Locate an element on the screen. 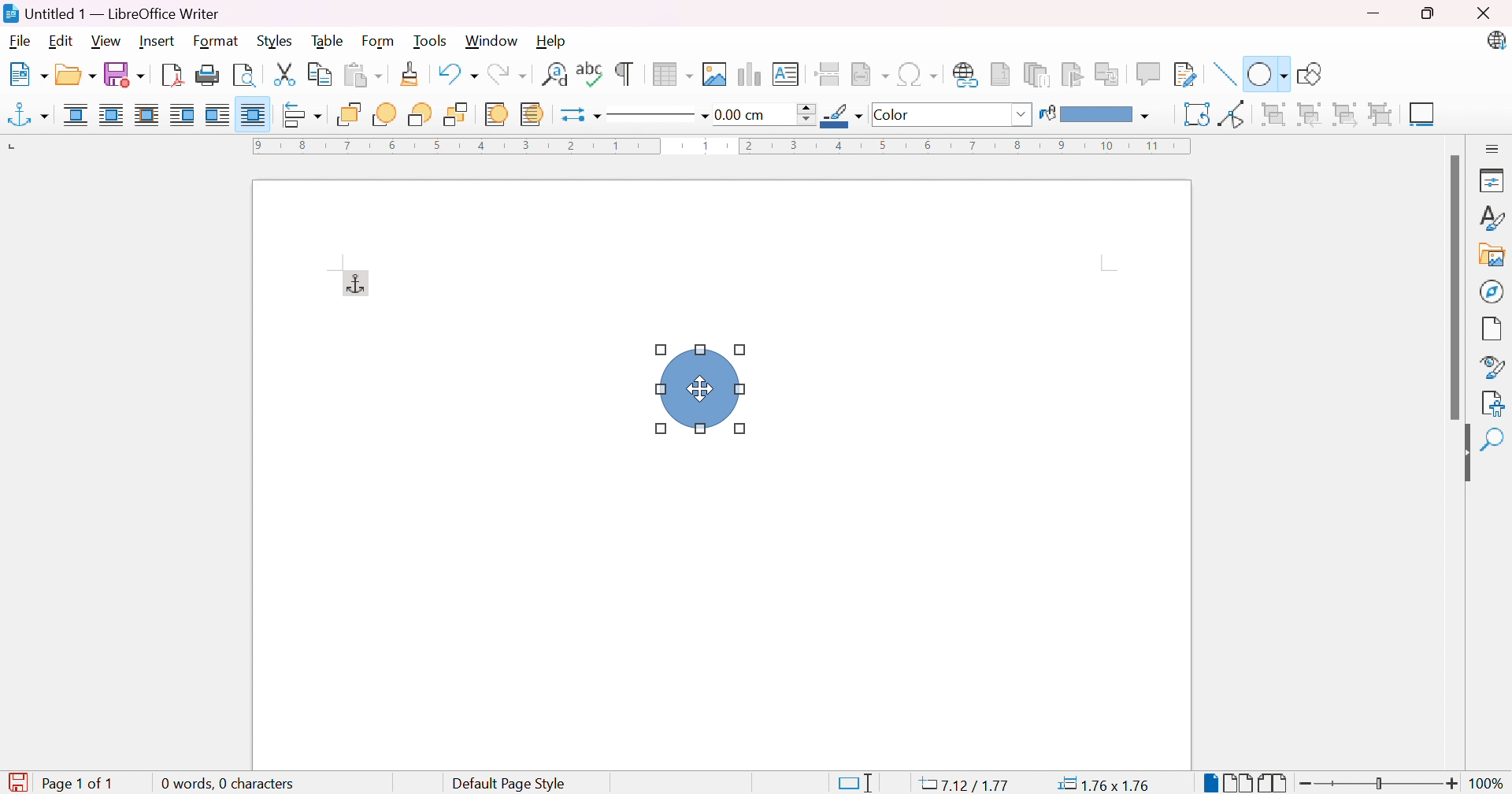  Gallery is located at coordinates (1492, 256).